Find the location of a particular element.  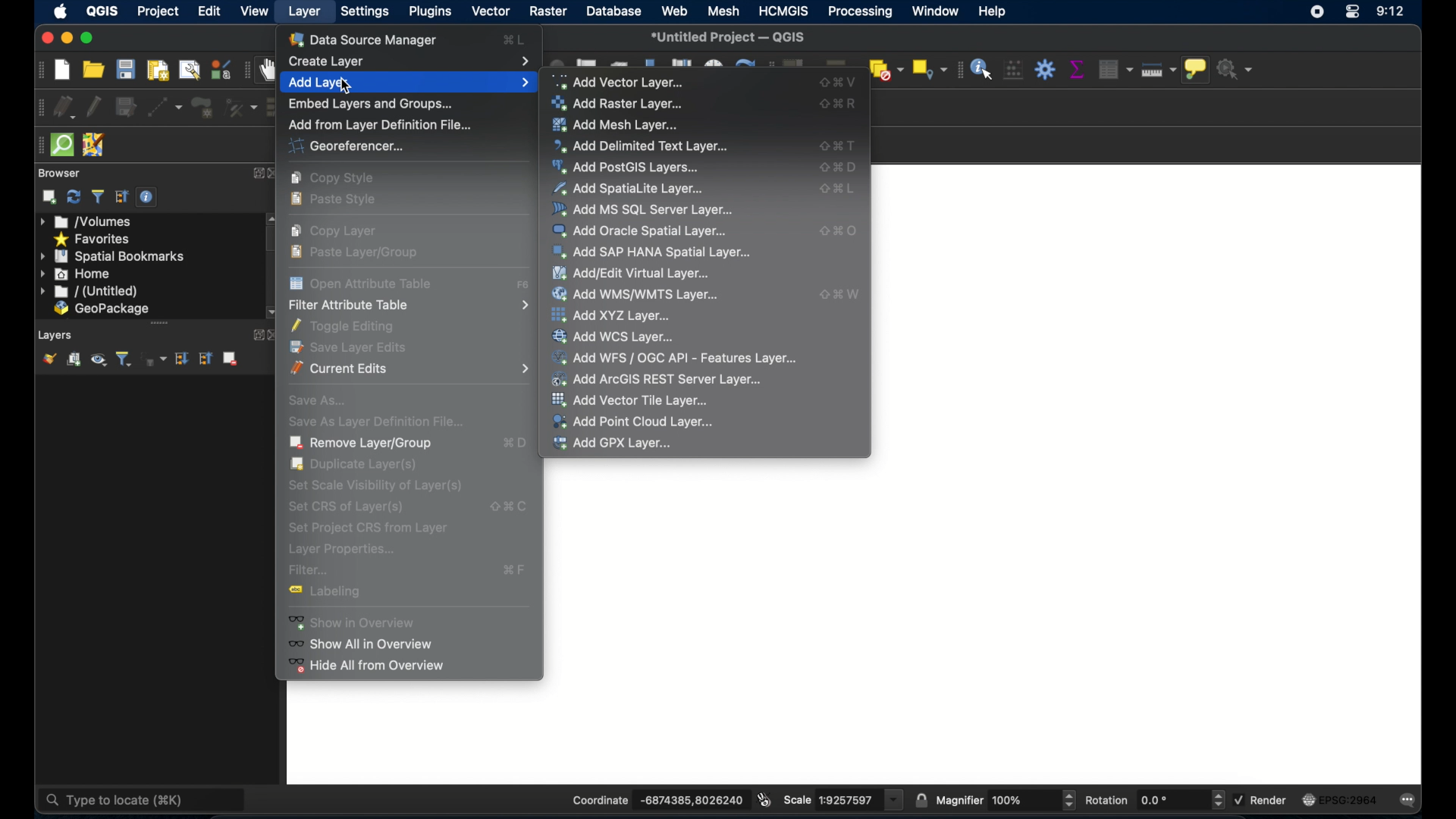

Paste Layer/Group is located at coordinates (384, 253).